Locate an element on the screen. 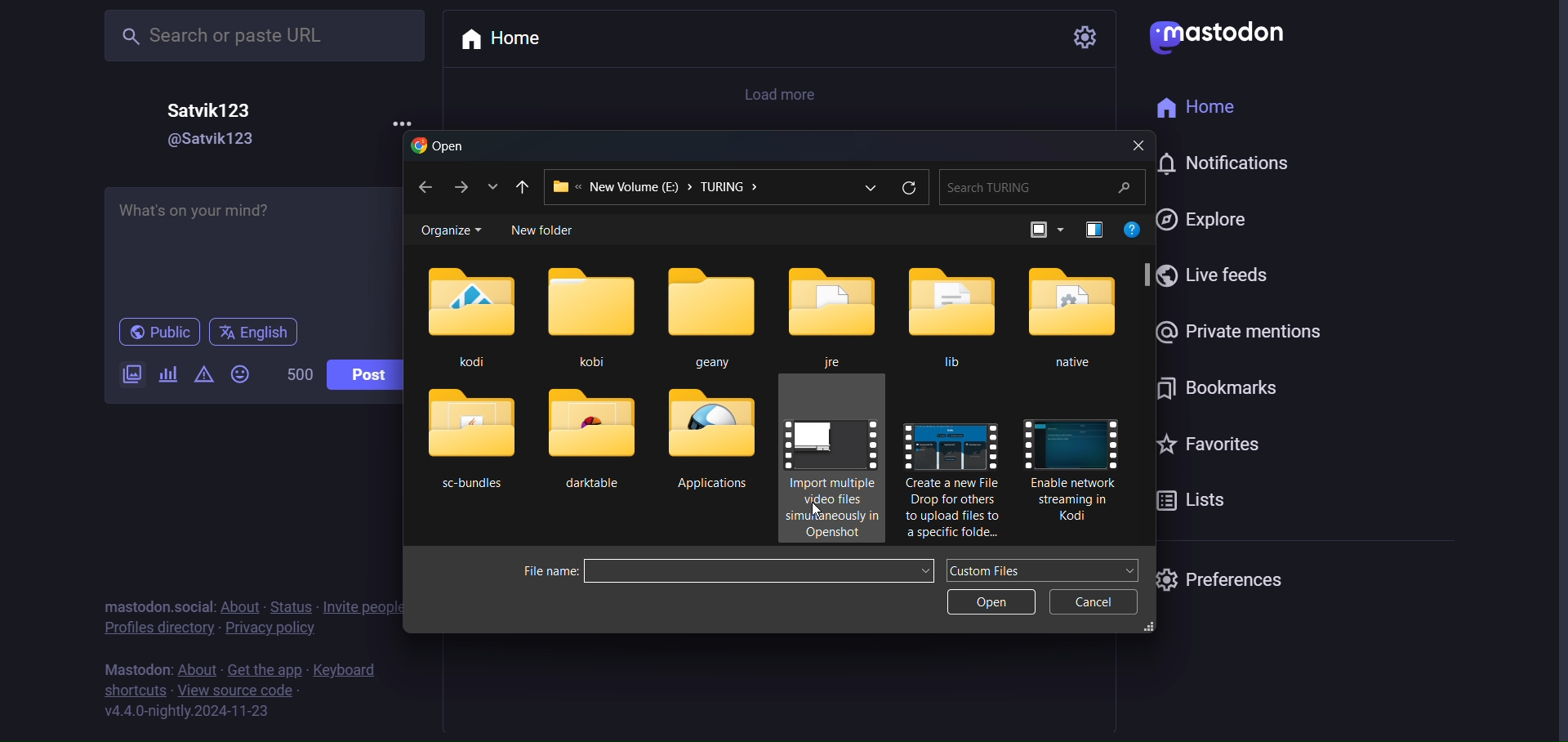 This screenshot has height=742, width=1568. open is located at coordinates (990, 604).